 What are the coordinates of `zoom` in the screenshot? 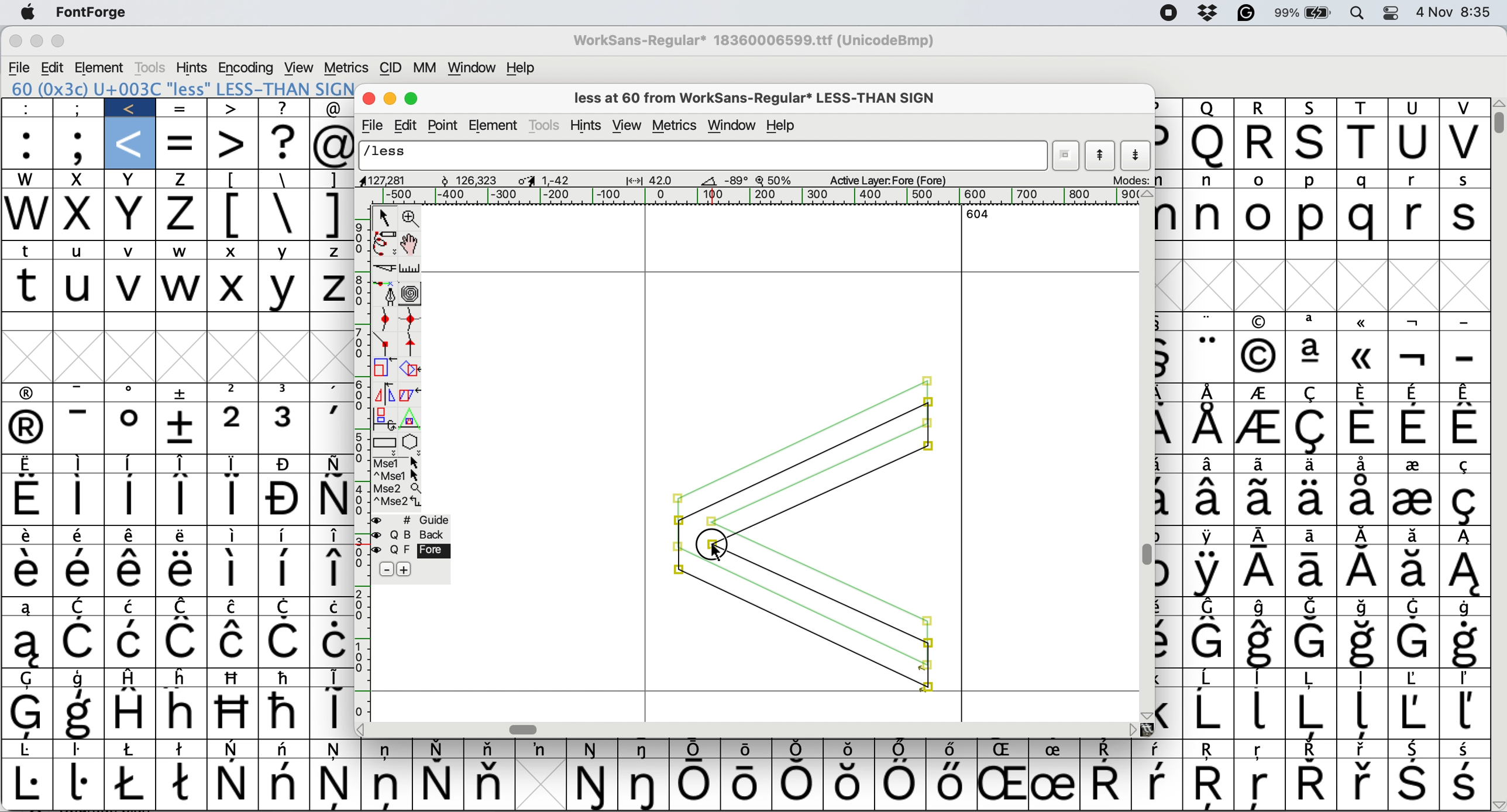 It's located at (412, 217).